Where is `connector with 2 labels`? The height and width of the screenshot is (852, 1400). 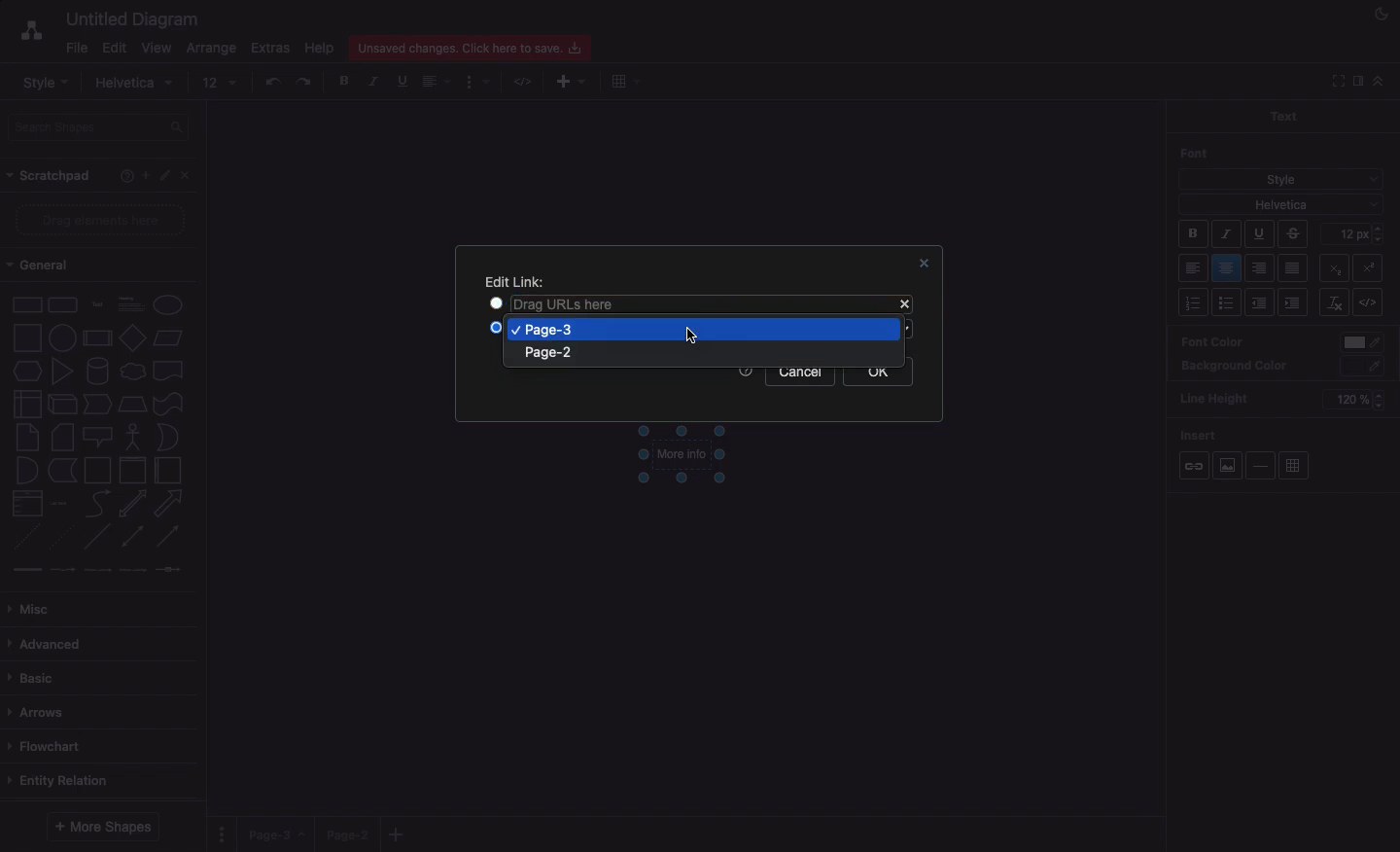
connector with 2 labels is located at coordinates (97, 570).